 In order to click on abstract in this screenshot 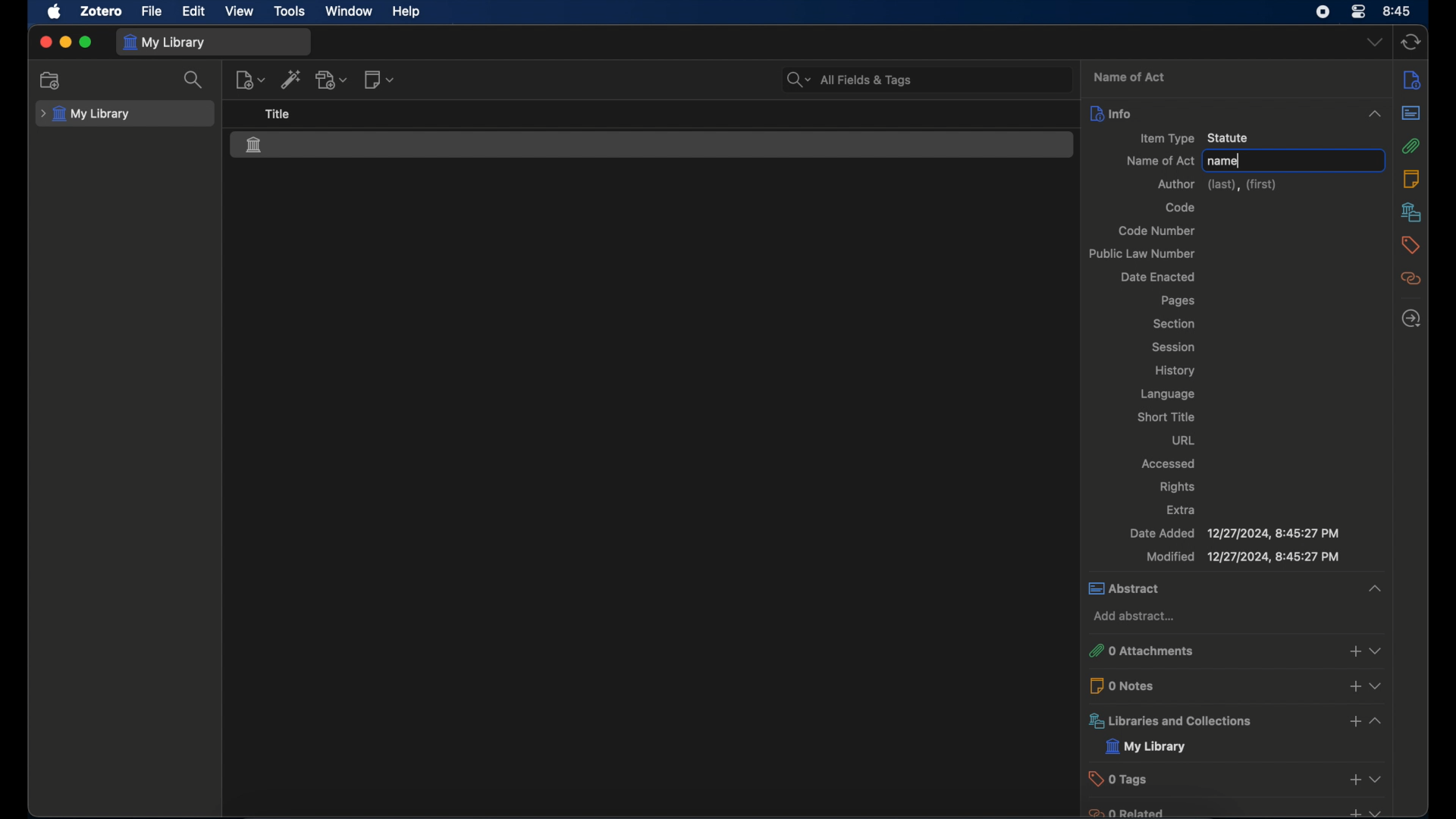, I will do `click(1411, 112)`.